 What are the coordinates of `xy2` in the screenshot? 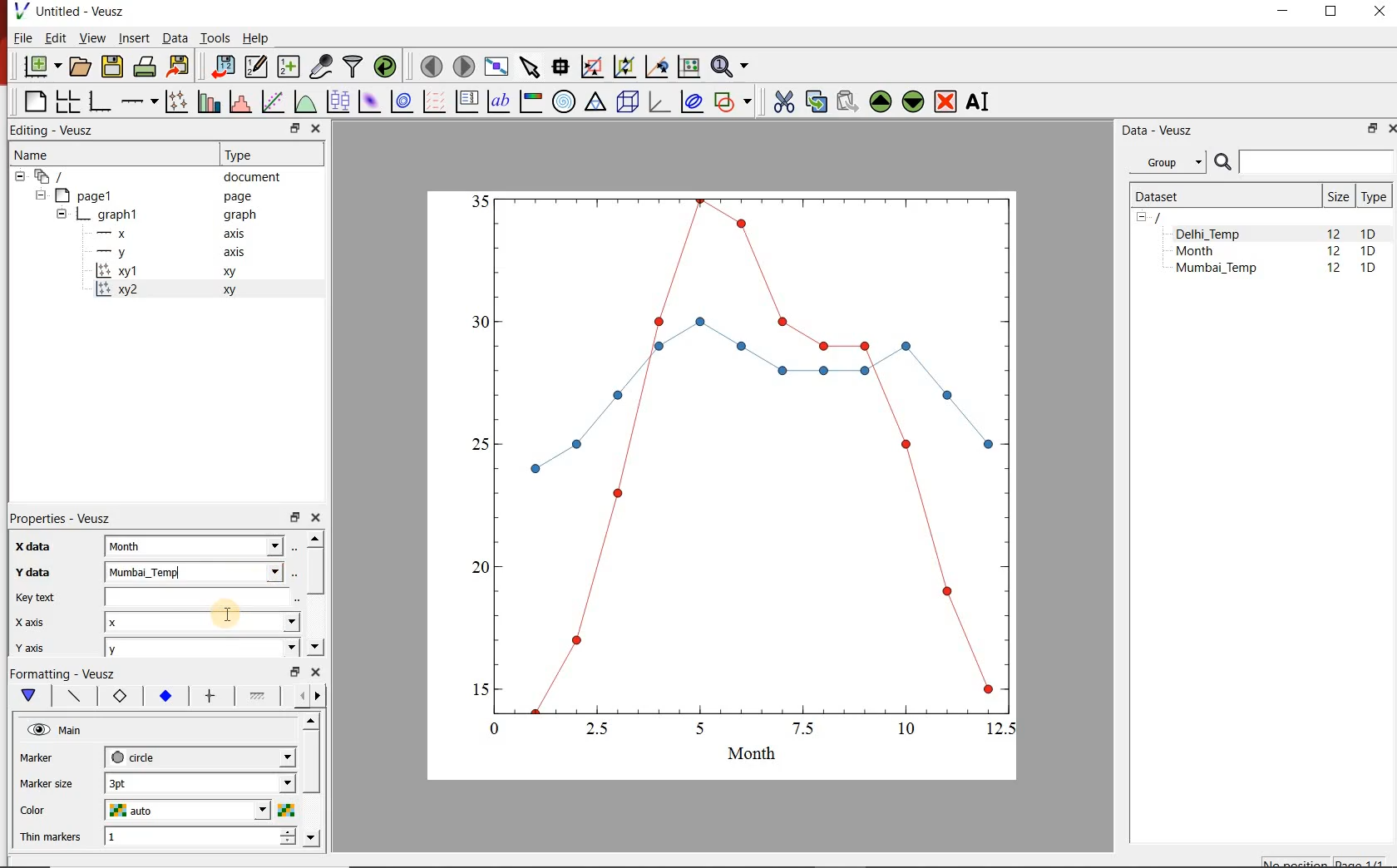 It's located at (173, 291).